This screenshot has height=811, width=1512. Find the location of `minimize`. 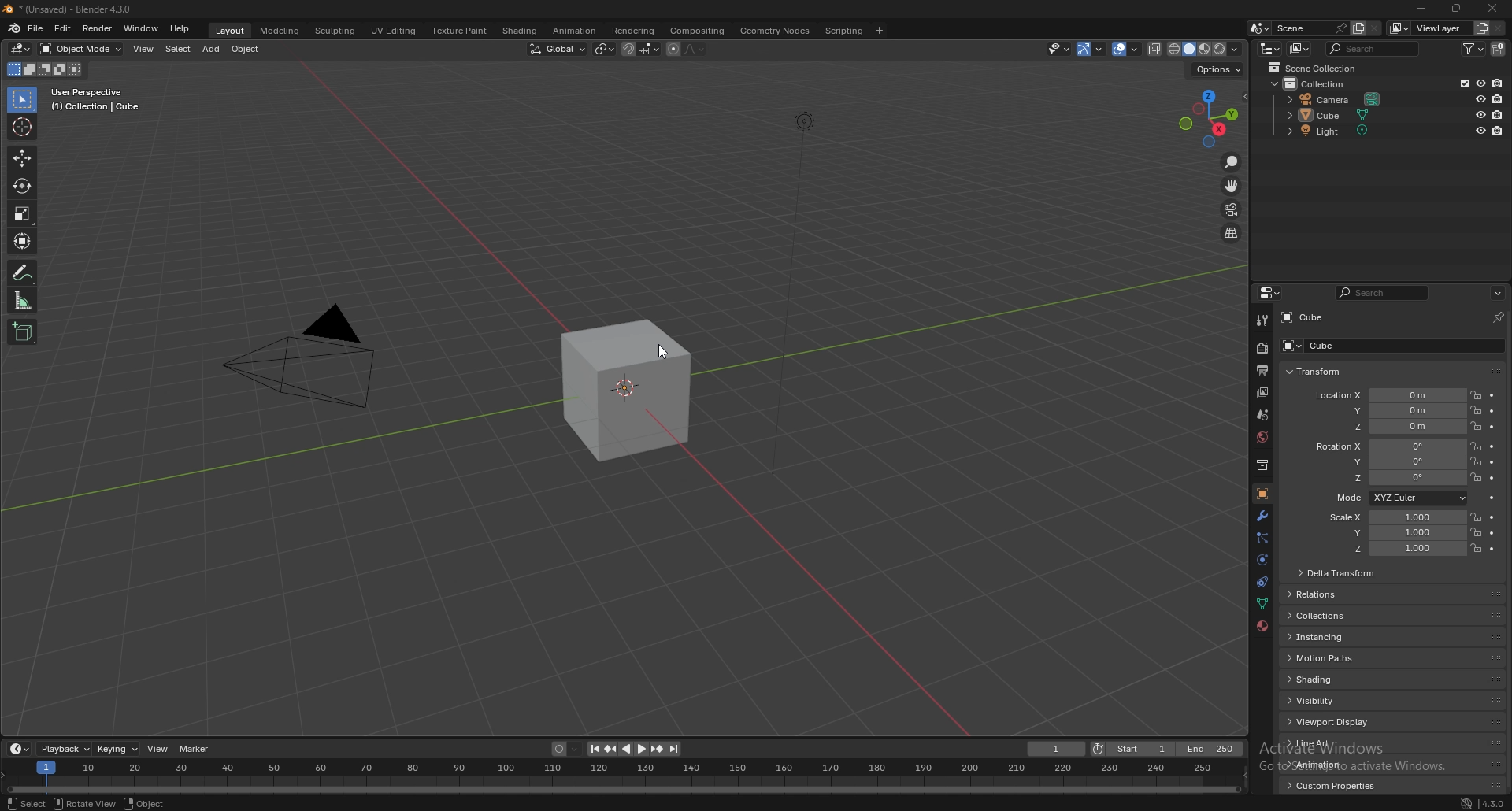

minimize is located at coordinates (1421, 9).